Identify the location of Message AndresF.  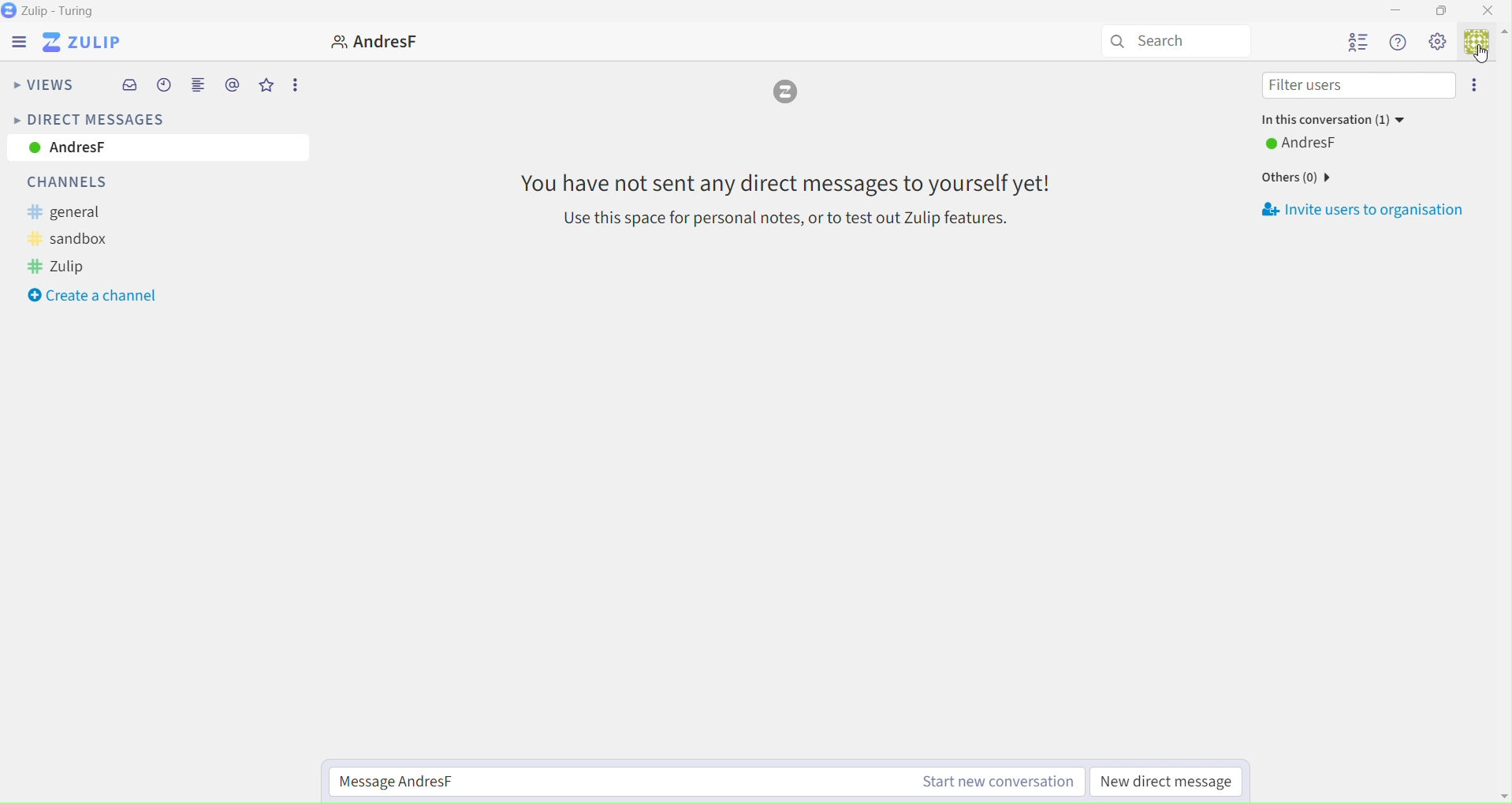
(709, 782).